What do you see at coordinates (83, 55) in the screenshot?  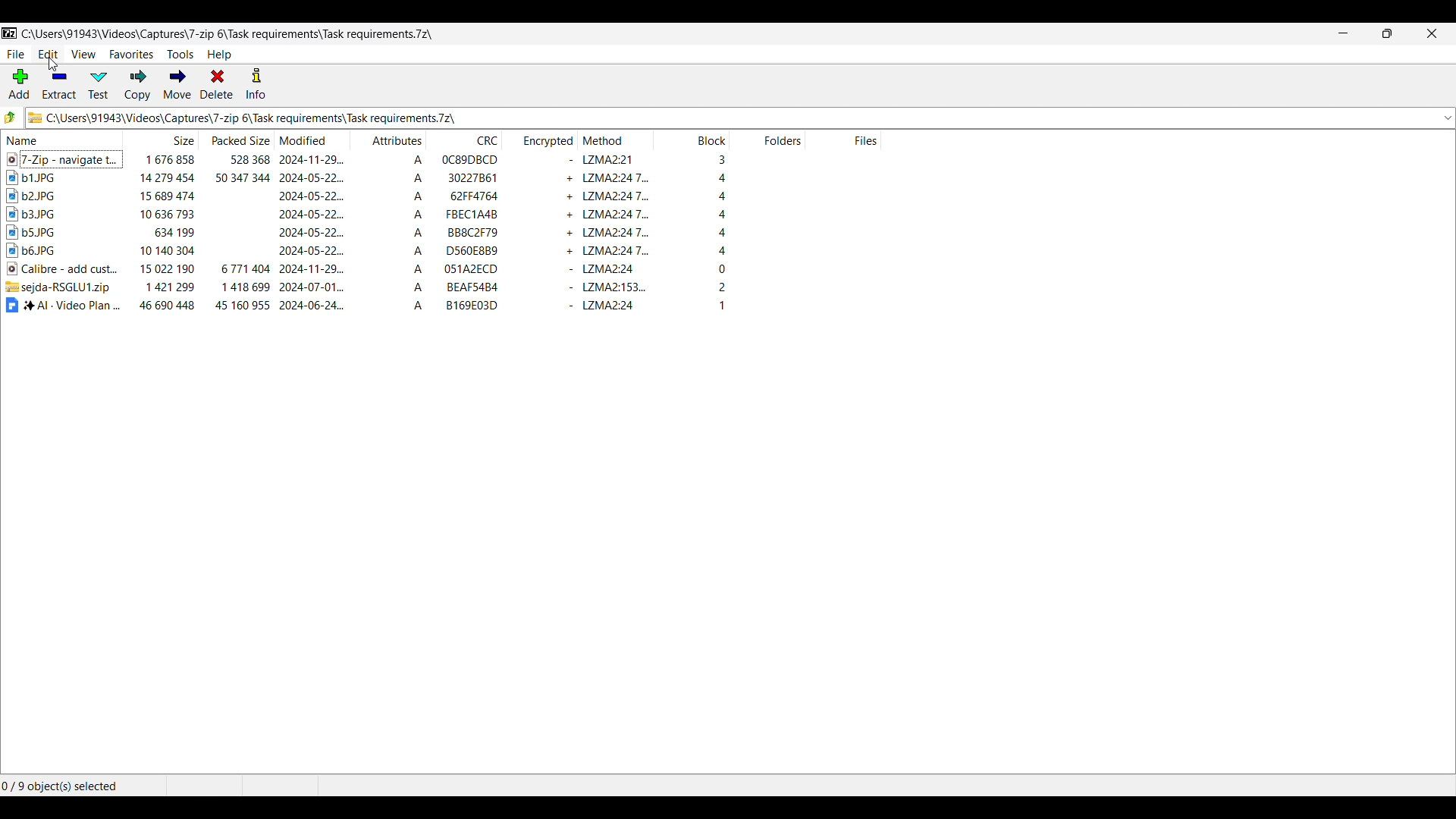 I see `View menu` at bounding box center [83, 55].